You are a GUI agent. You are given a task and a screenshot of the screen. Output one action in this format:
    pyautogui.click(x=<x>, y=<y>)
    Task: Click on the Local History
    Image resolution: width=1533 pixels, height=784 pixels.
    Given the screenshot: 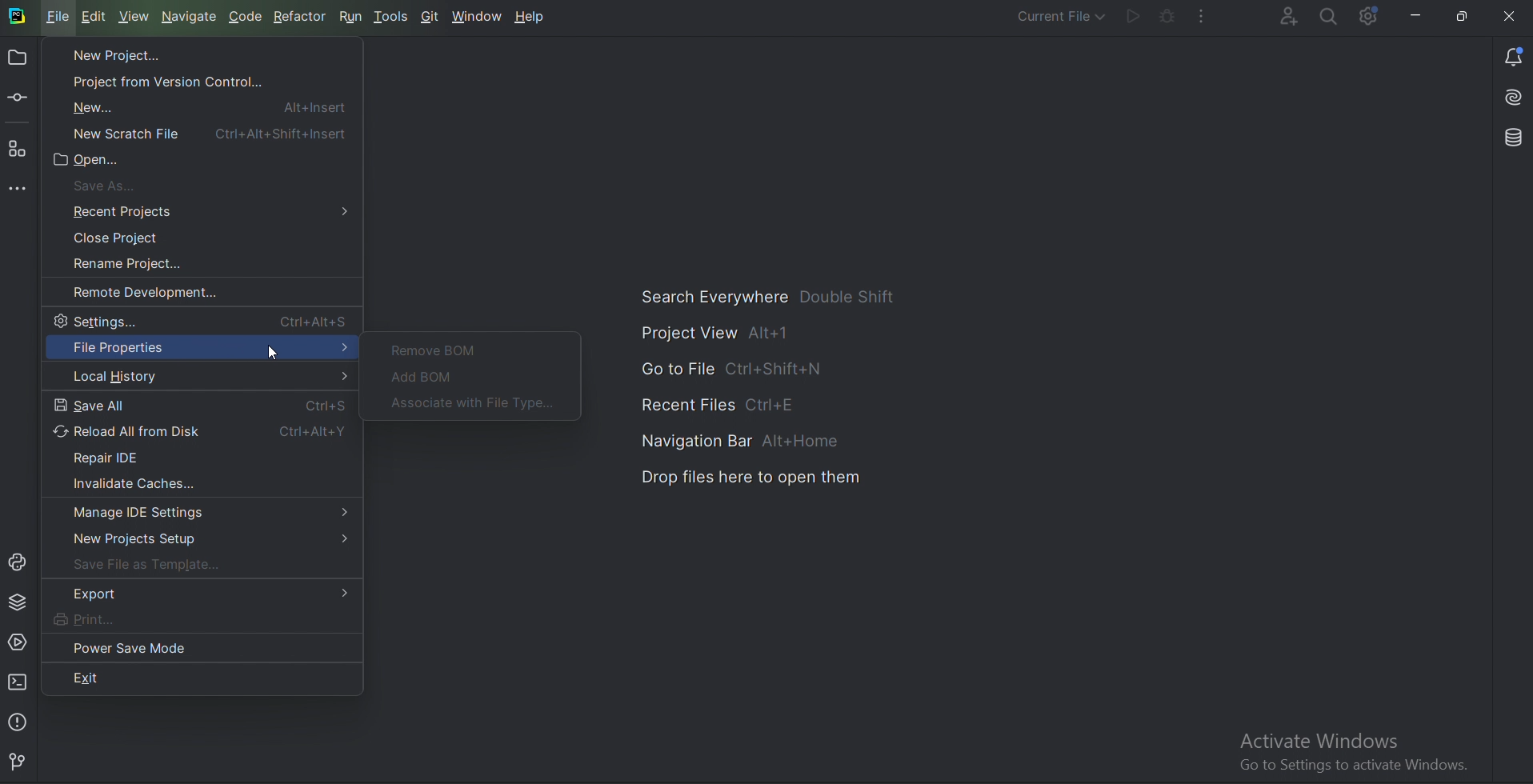 What is the action you would take?
    pyautogui.click(x=201, y=378)
    